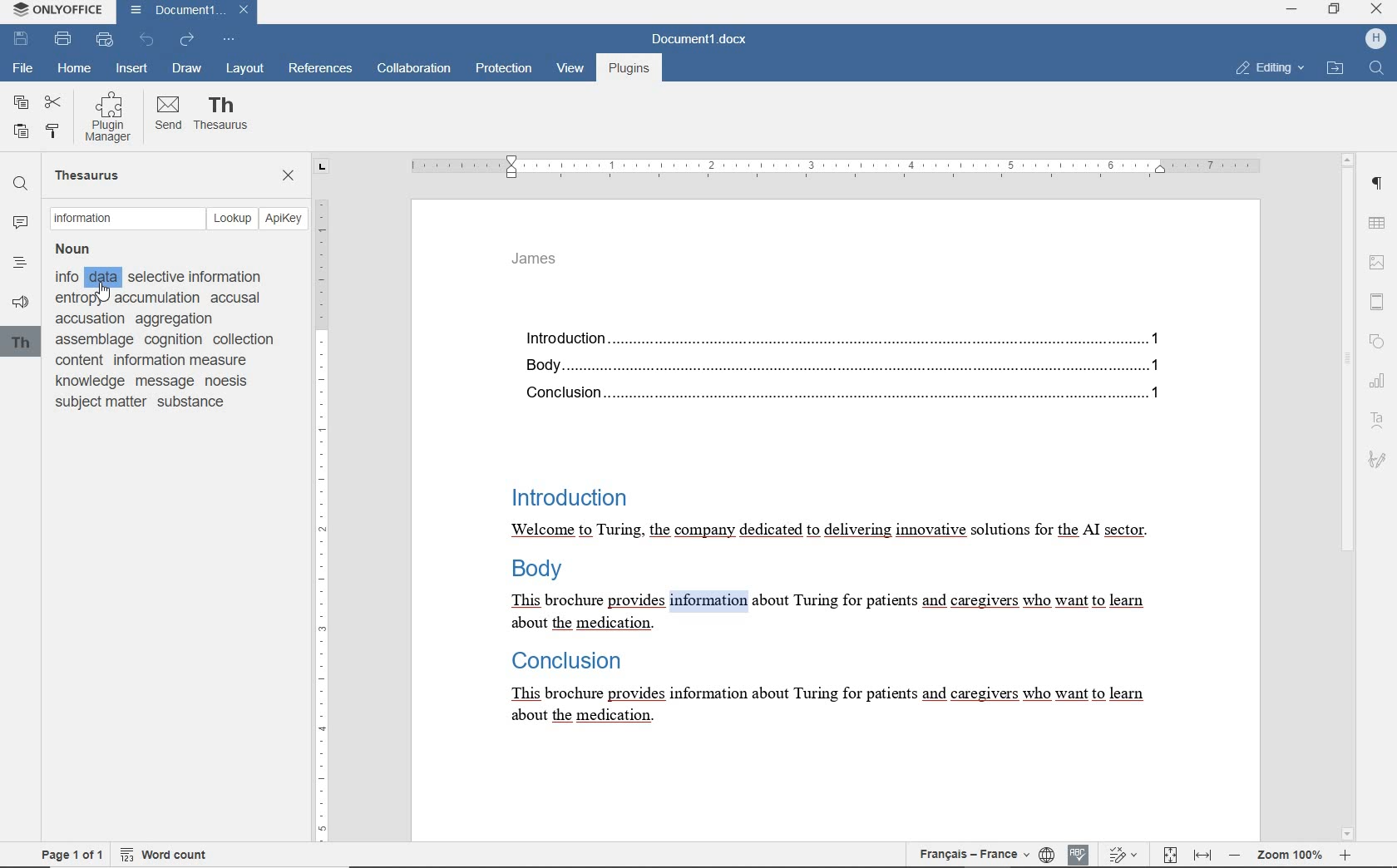 This screenshot has width=1397, height=868. What do you see at coordinates (80, 248) in the screenshot?
I see `Noun` at bounding box center [80, 248].